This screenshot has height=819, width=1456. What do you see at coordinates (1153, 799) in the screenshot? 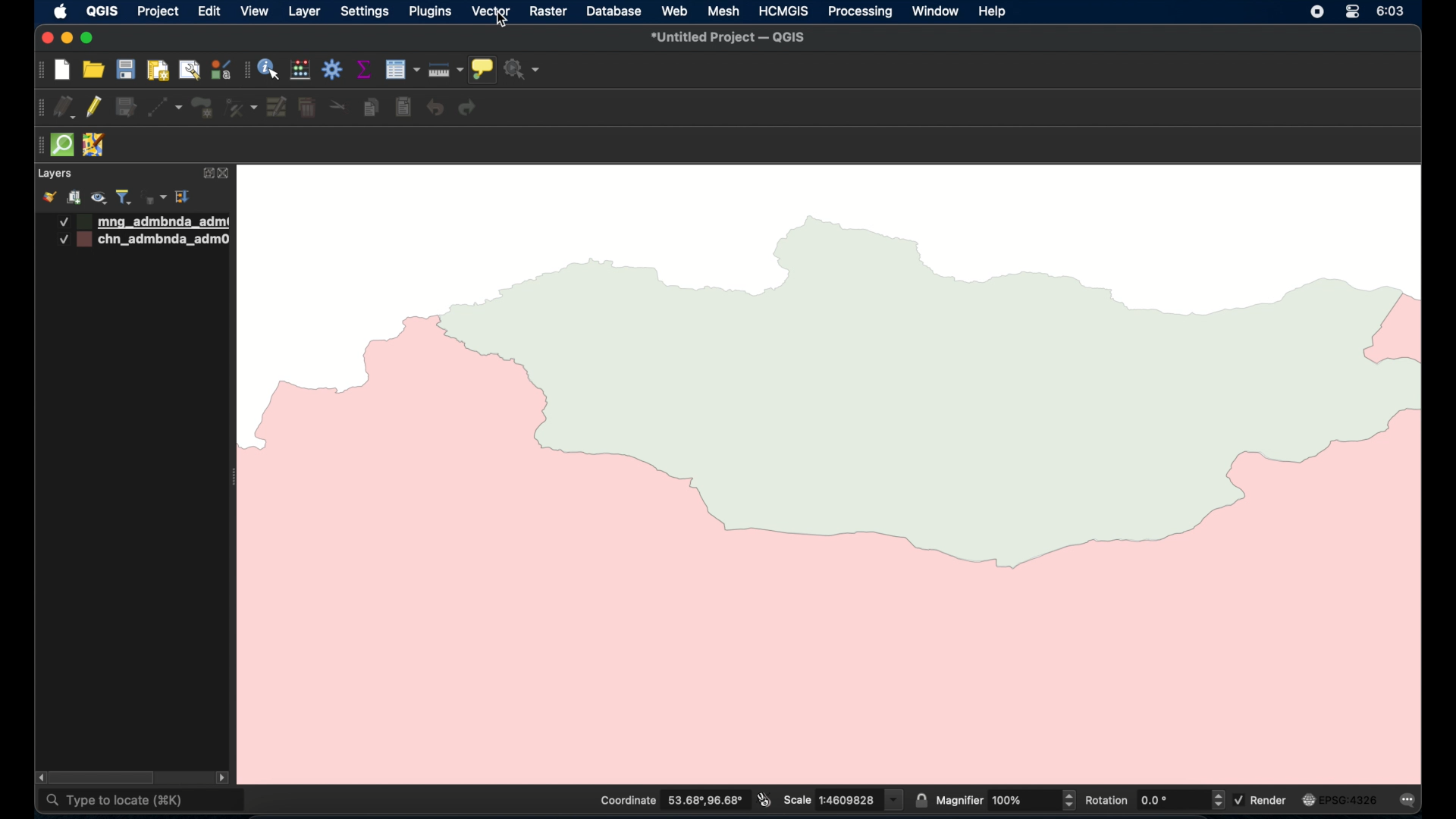
I see `rotation` at bounding box center [1153, 799].